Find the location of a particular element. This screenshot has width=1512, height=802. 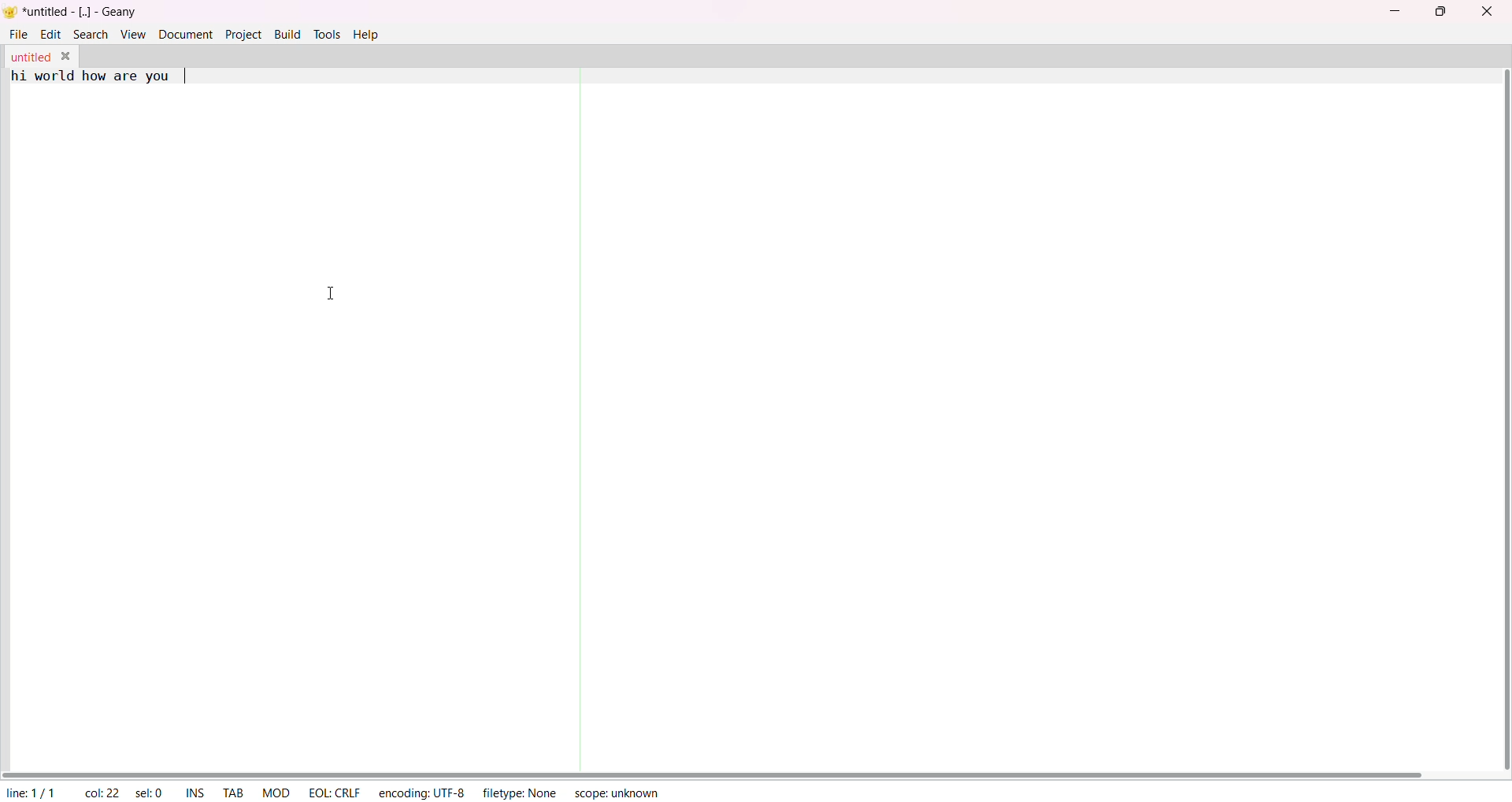

encoding: utf-8 is located at coordinates (420, 791).